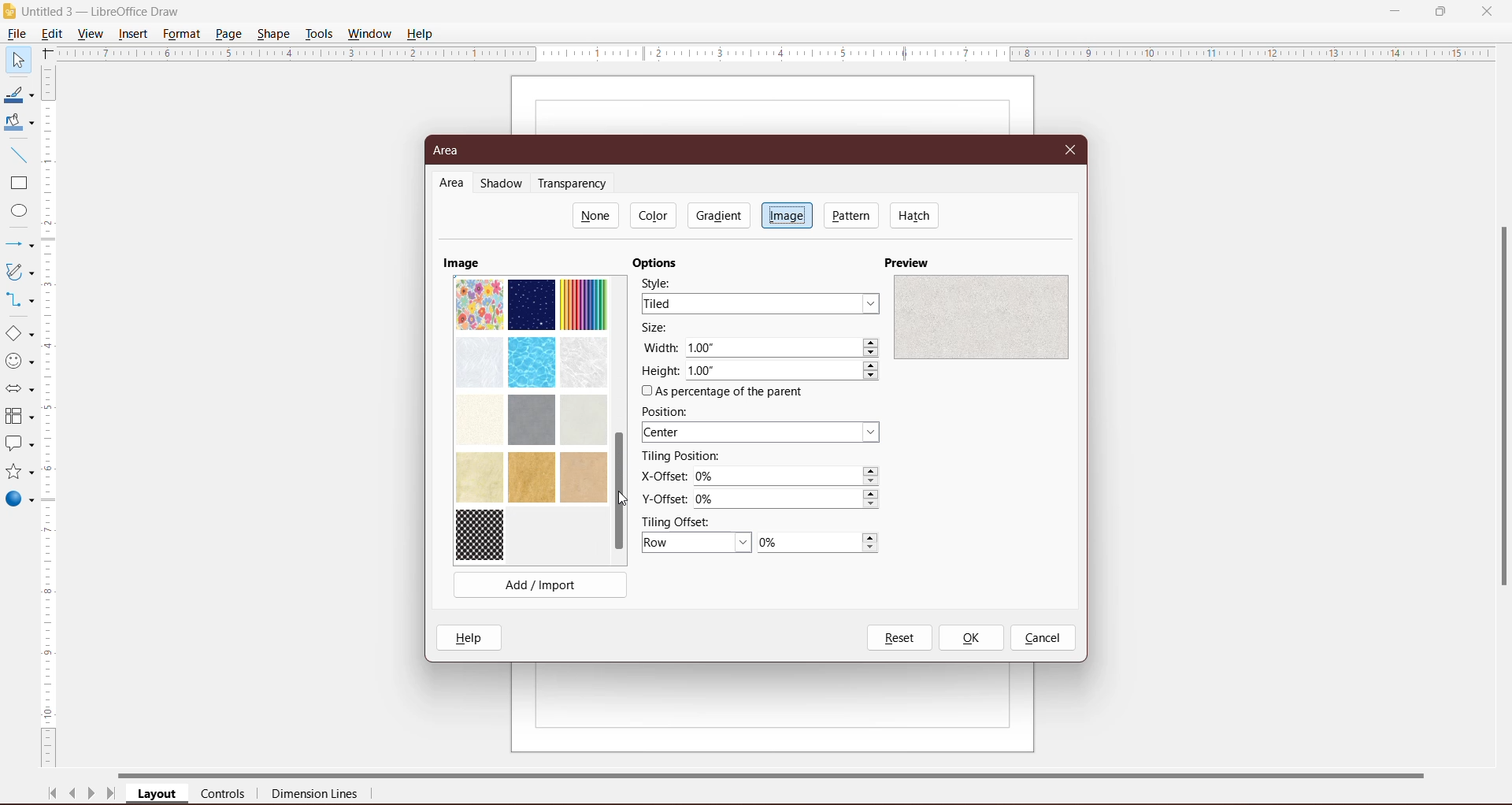 This screenshot has width=1512, height=805. Describe the element at coordinates (683, 521) in the screenshot. I see `Tiling Offset` at that location.